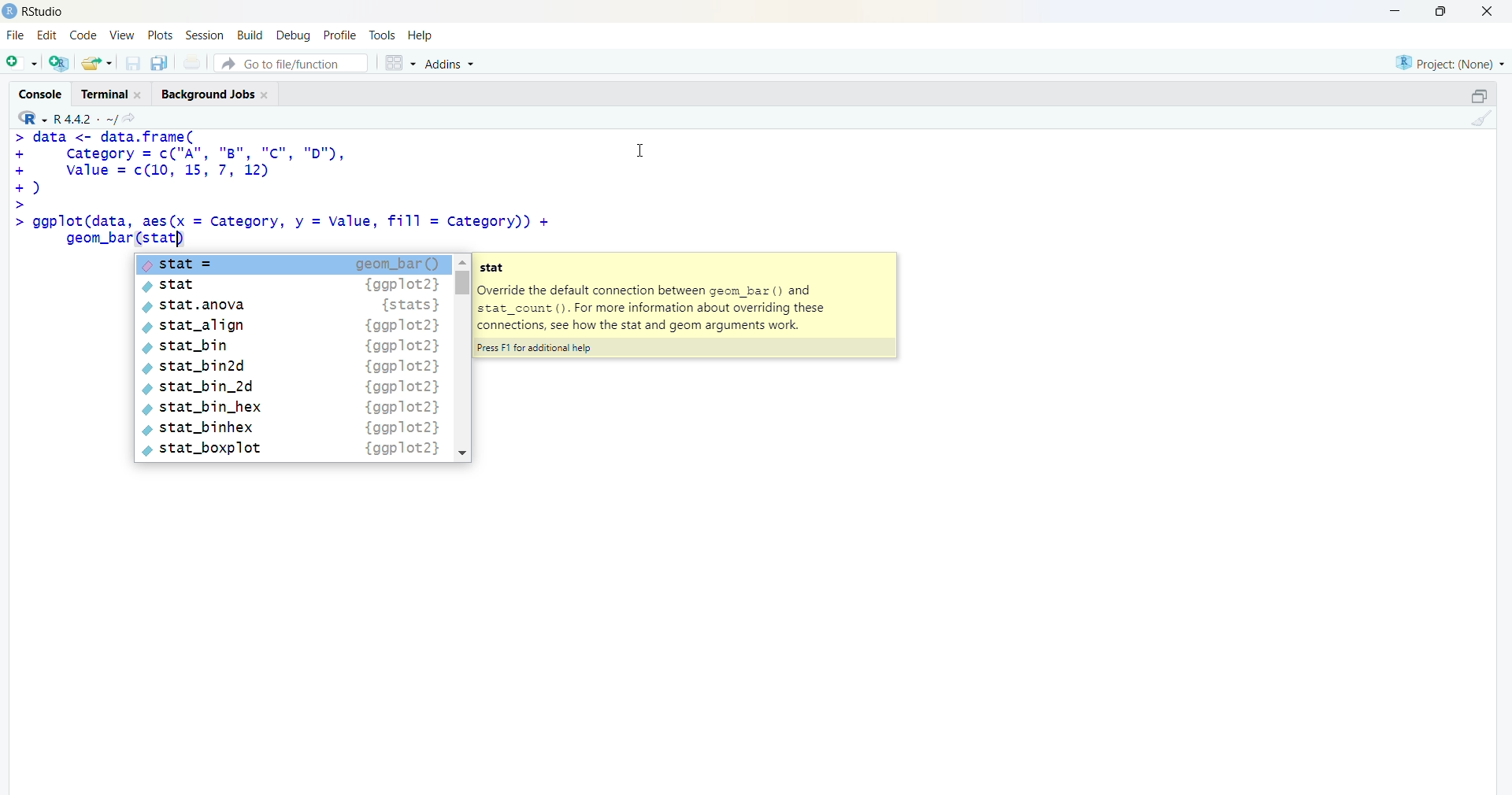 The width and height of the screenshot is (1512, 795). I want to click on R language, so click(34, 118).